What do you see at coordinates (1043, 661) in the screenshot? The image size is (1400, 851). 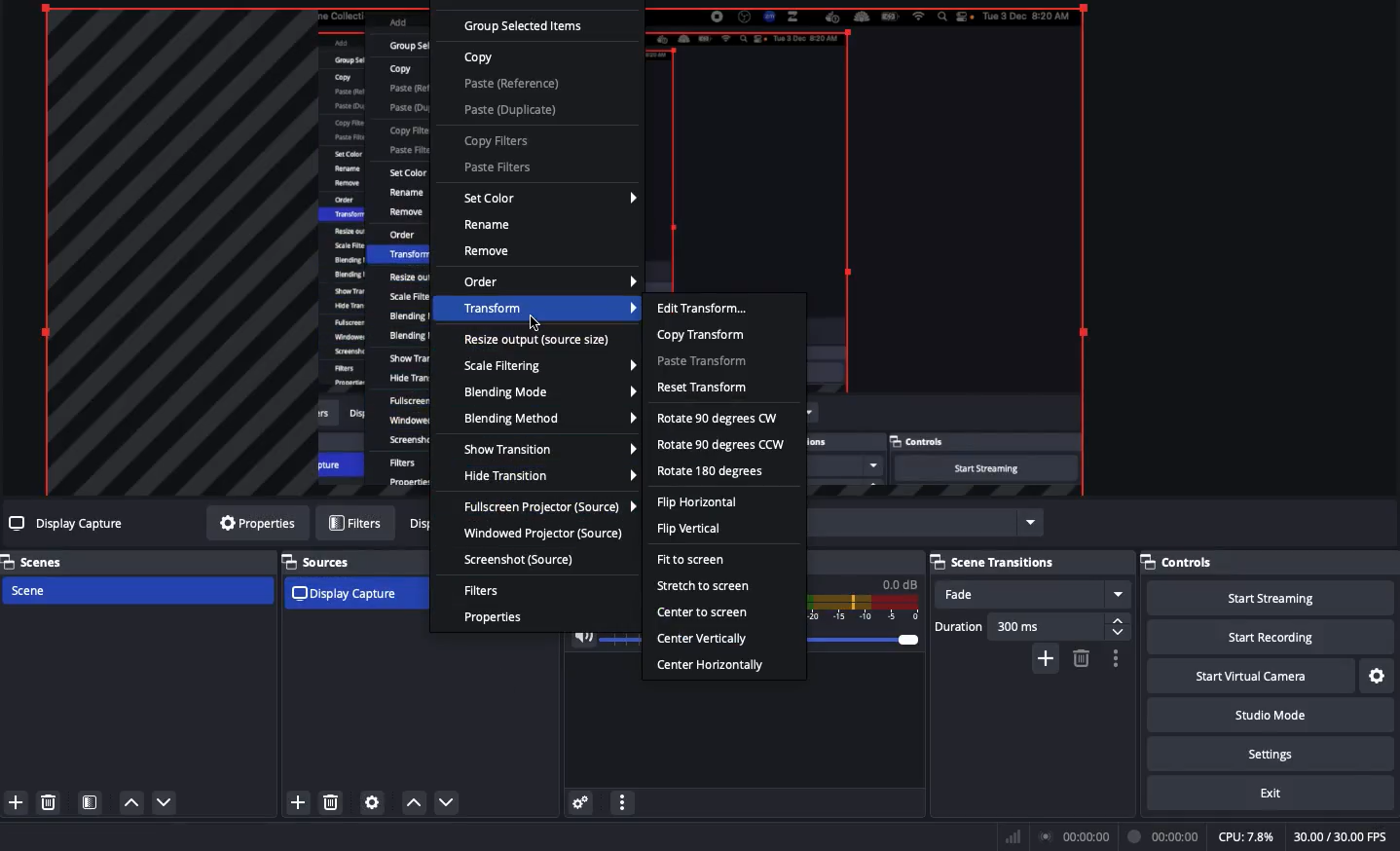 I see `add` at bounding box center [1043, 661].